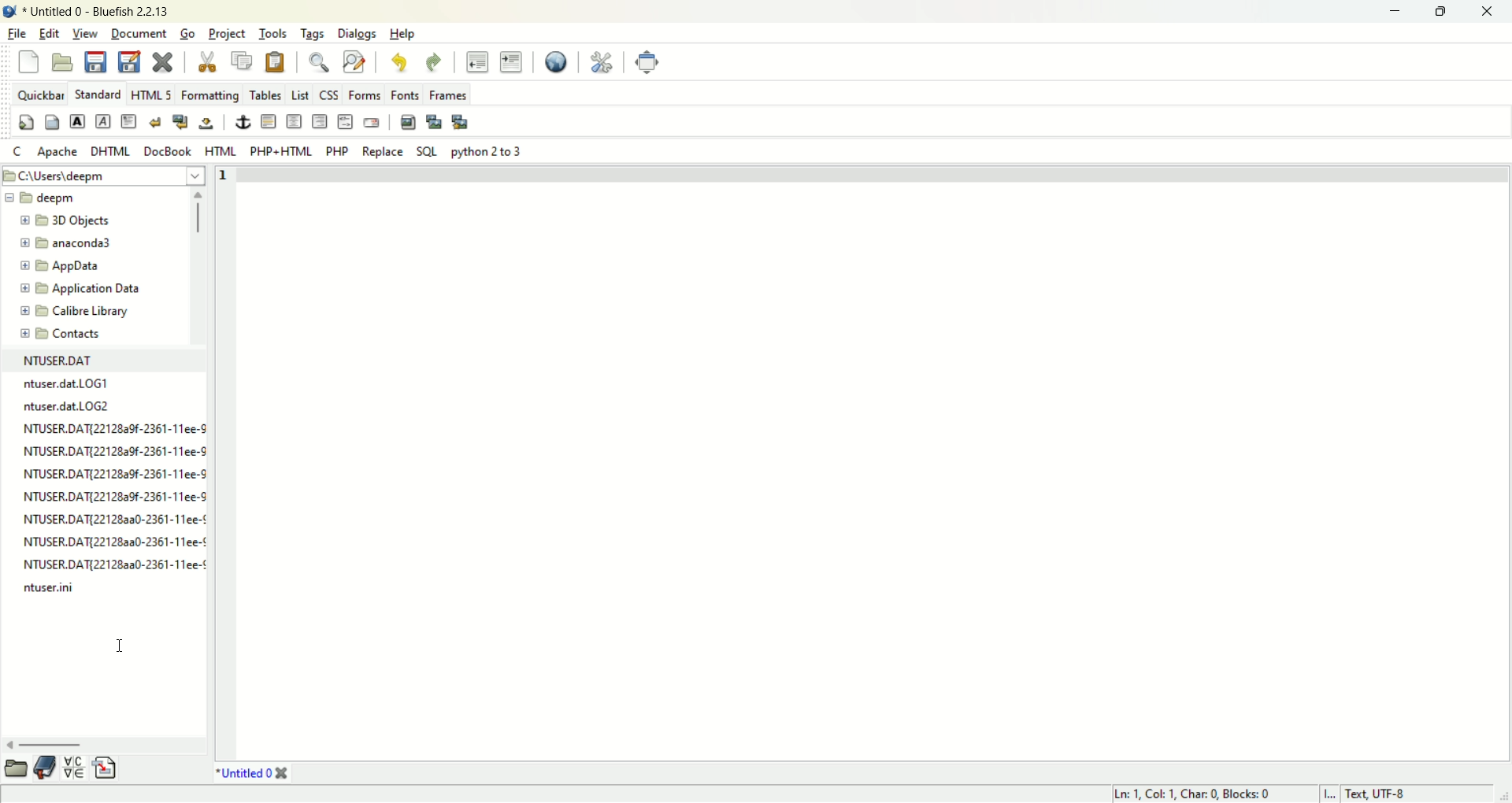 This screenshot has height=803, width=1512. What do you see at coordinates (435, 123) in the screenshot?
I see `insert thumbnail` at bounding box center [435, 123].